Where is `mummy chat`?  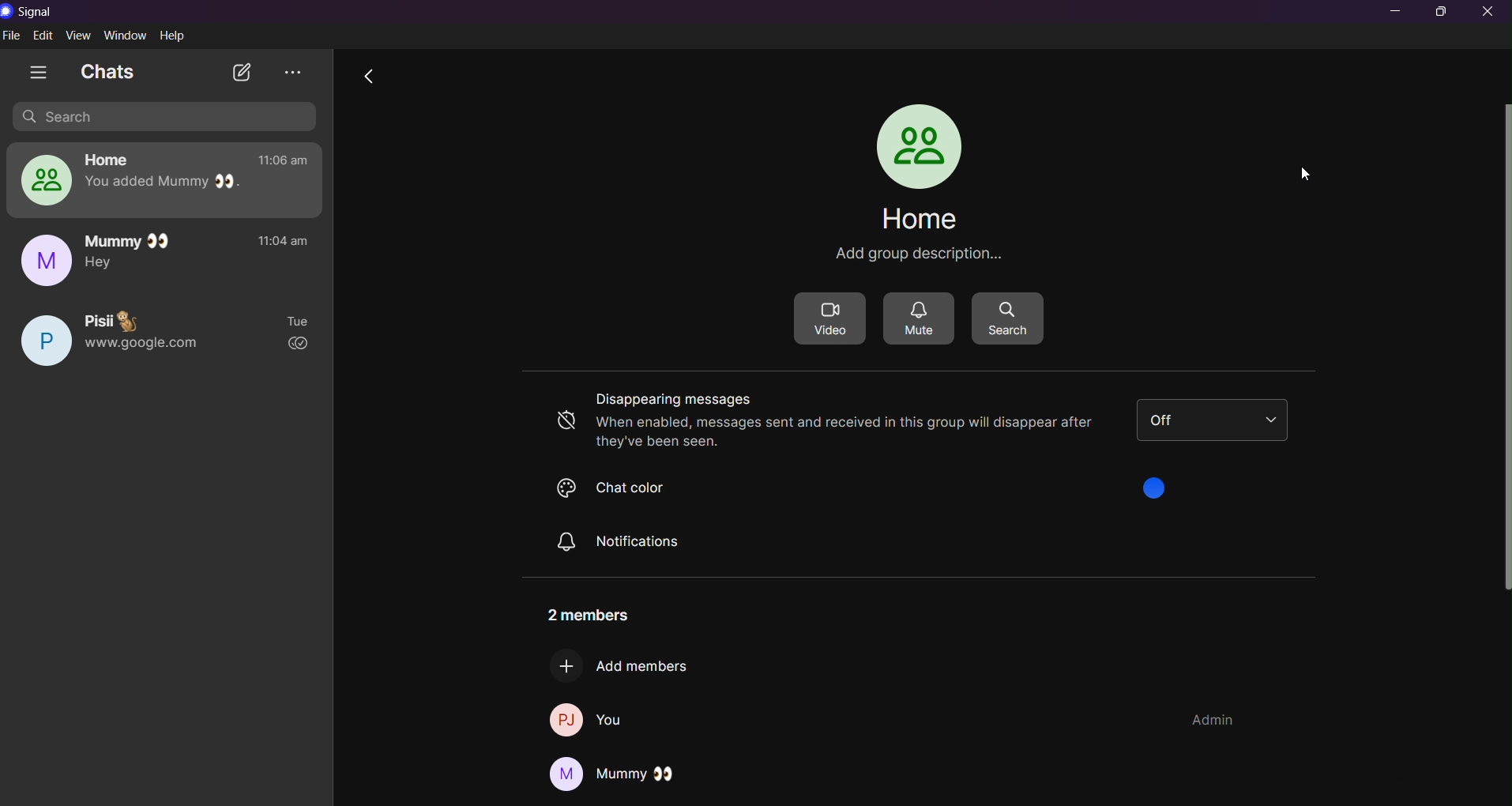
mummy chat is located at coordinates (171, 258).